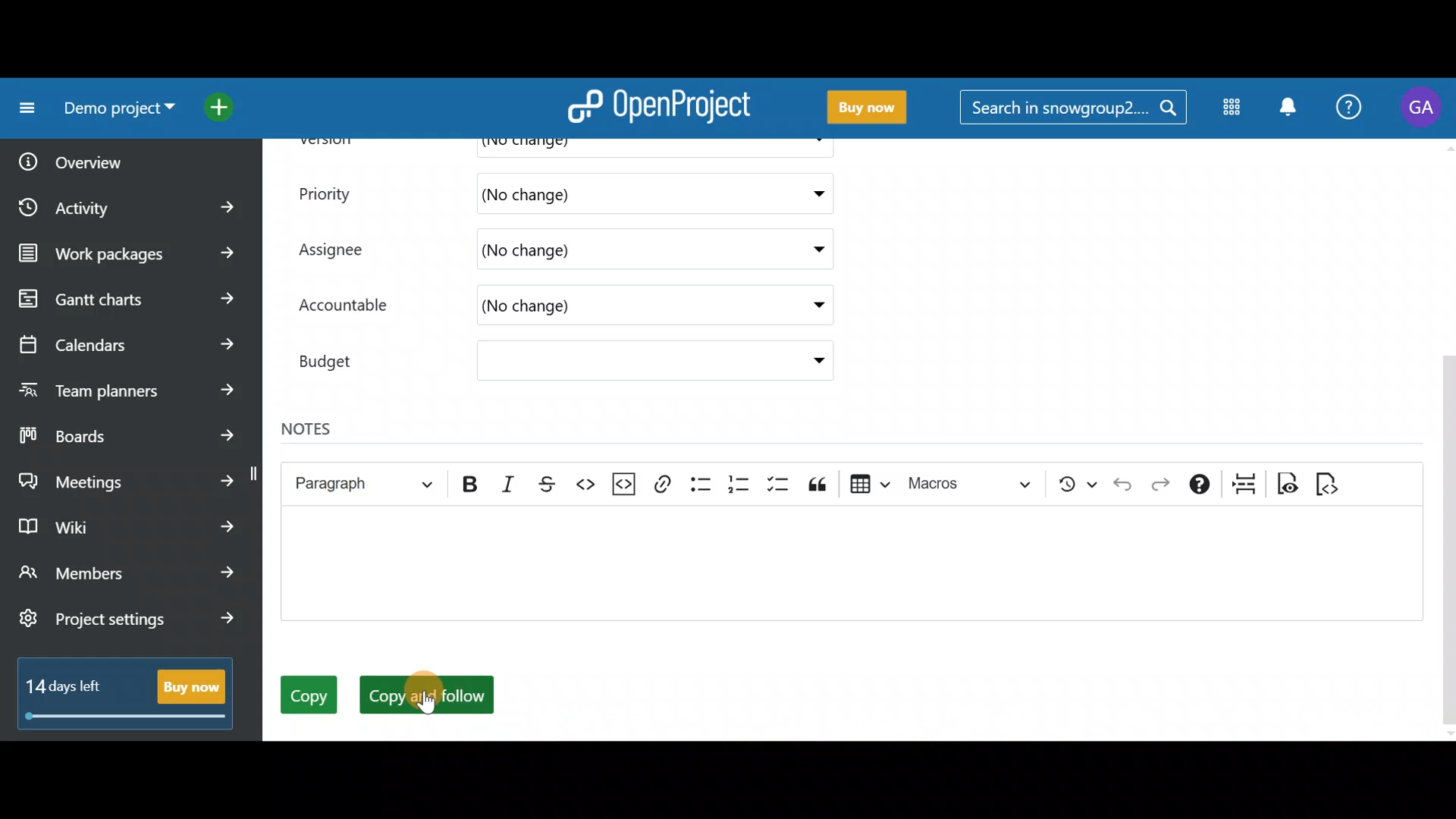 This screenshot has width=1456, height=819. What do you see at coordinates (114, 111) in the screenshot?
I see `Demo project` at bounding box center [114, 111].